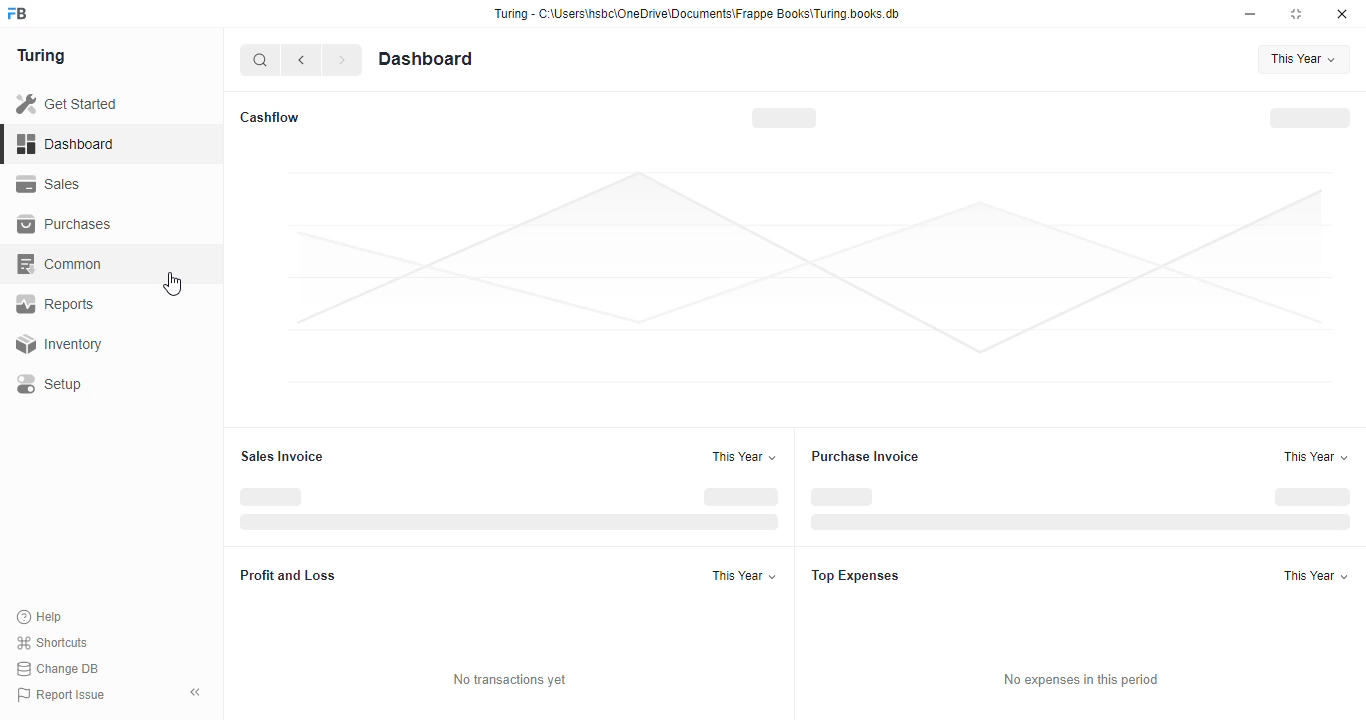 The width and height of the screenshot is (1366, 720). Describe the element at coordinates (270, 117) in the screenshot. I see `cashflow` at that location.